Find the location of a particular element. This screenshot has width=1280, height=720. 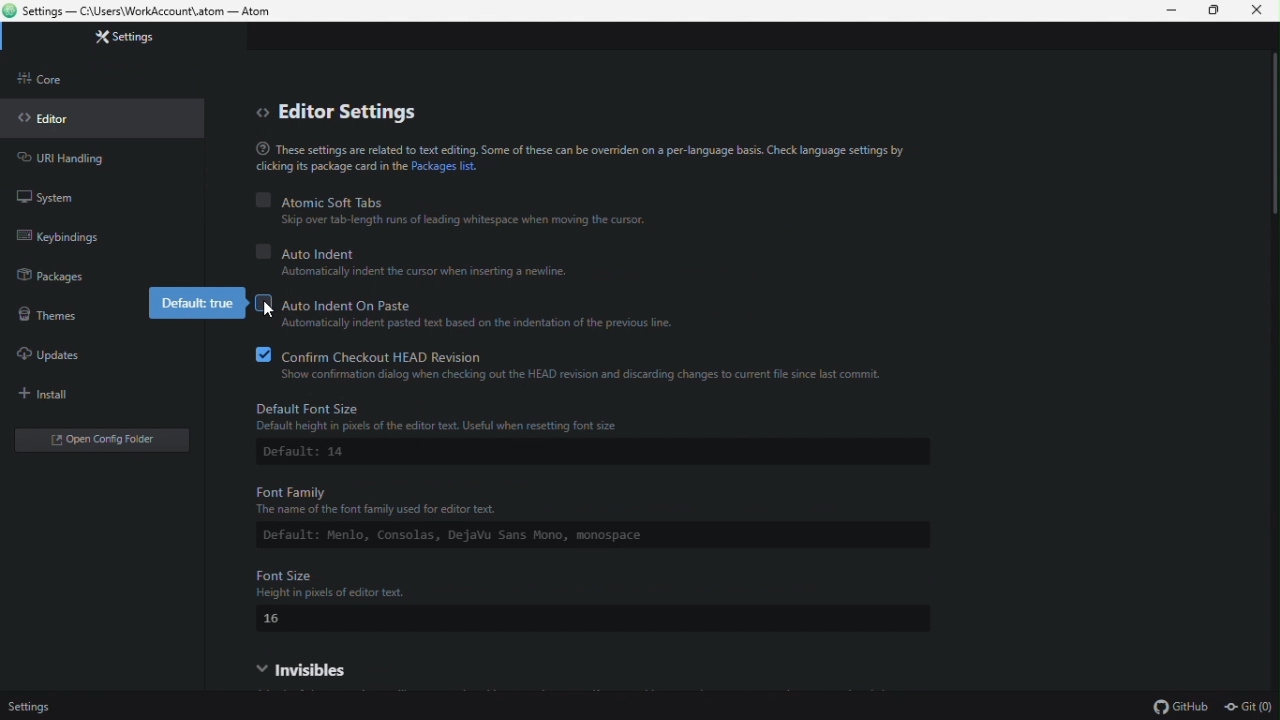

 Settings — C:\Users\WorkAccount\.atom — Atom is located at coordinates (147, 12).